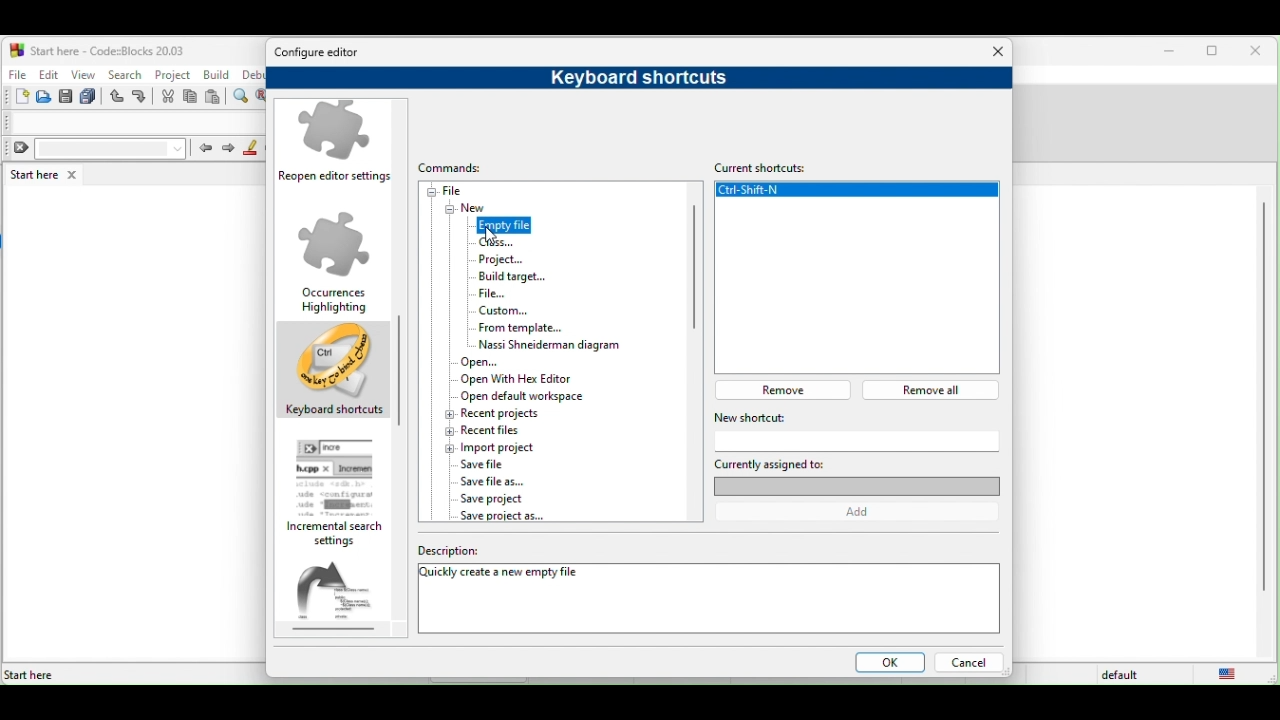 The width and height of the screenshot is (1280, 720). Describe the element at coordinates (168, 97) in the screenshot. I see `cut` at that location.